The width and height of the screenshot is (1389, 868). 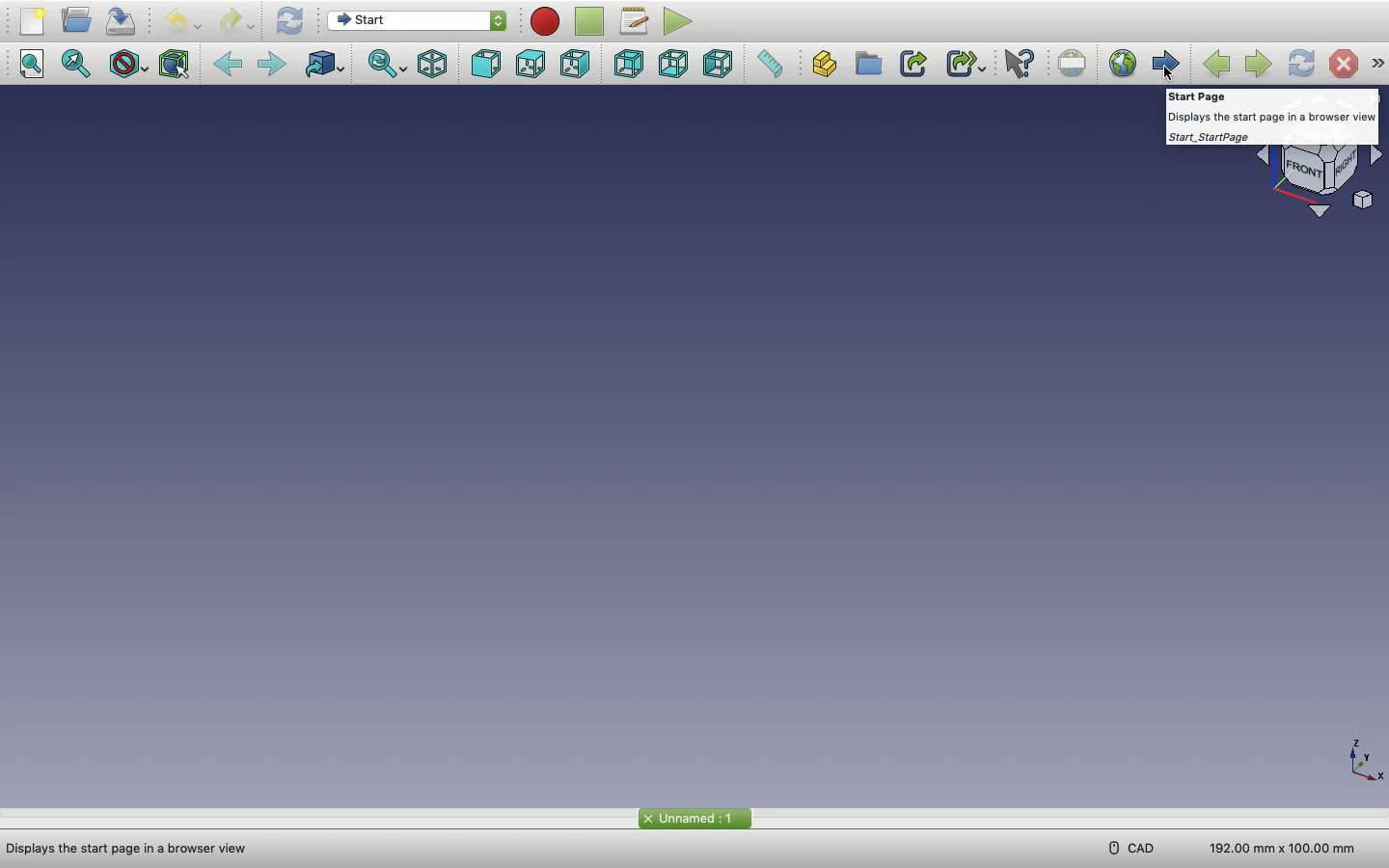 I want to click on Redo, so click(x=237, y=21).